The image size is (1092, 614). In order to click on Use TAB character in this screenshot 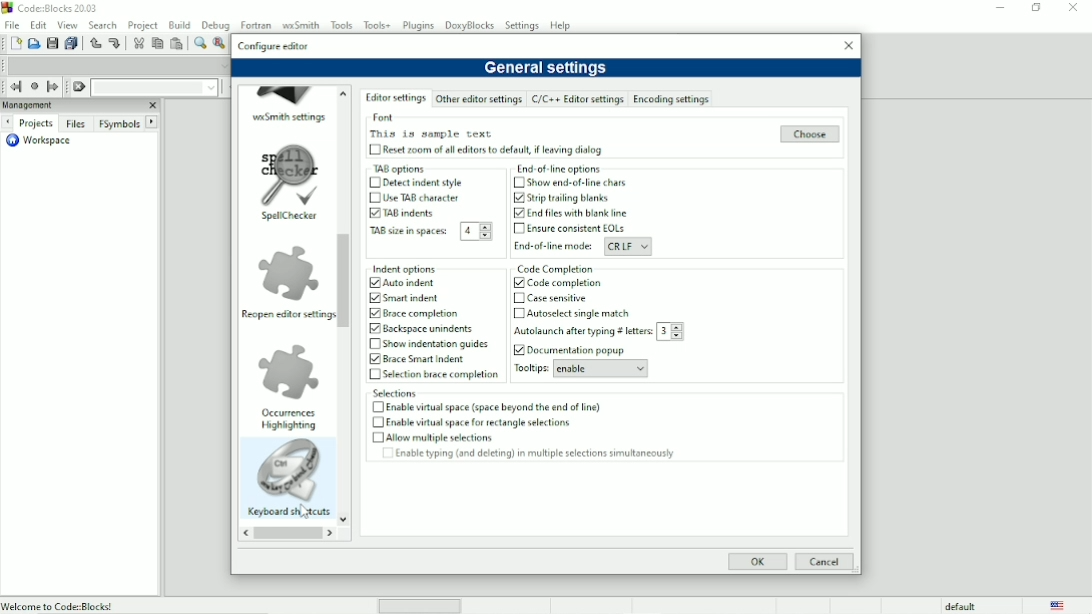, I will do `click(422, 197)`.